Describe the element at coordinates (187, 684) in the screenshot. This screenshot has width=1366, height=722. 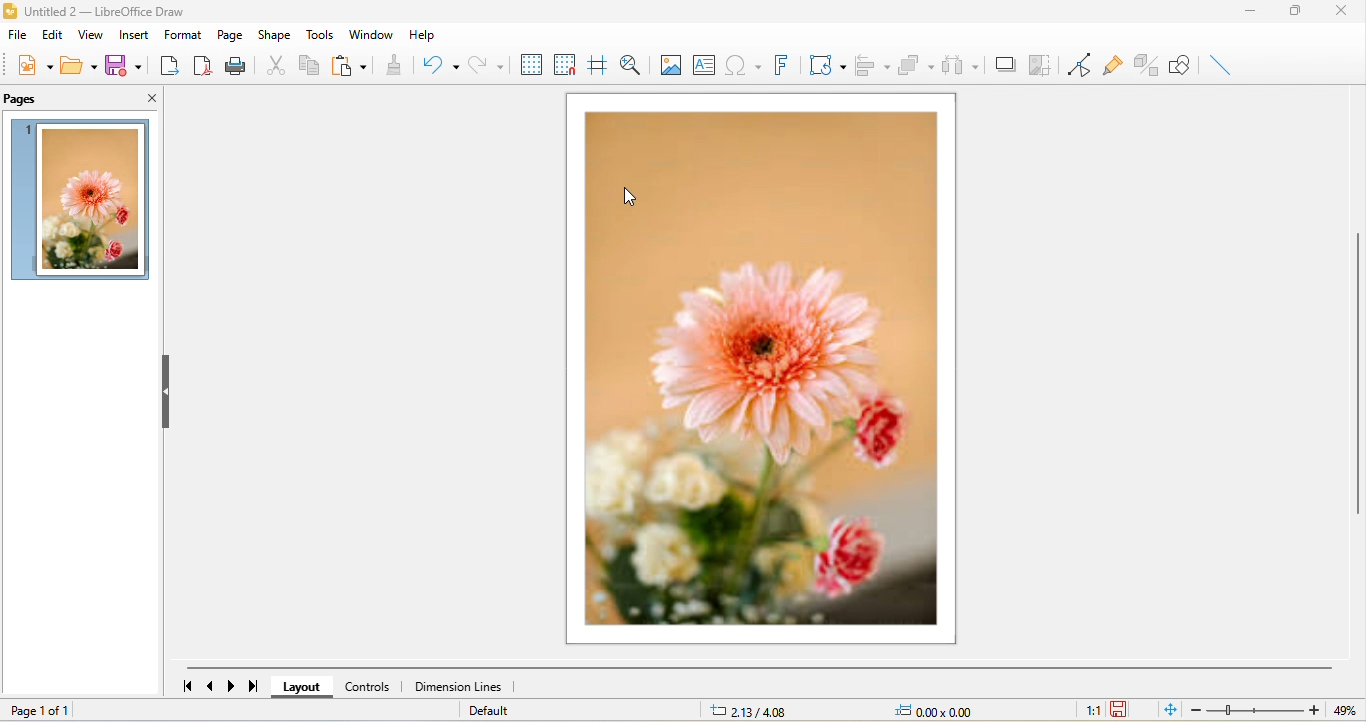
I see `first page` at that location.